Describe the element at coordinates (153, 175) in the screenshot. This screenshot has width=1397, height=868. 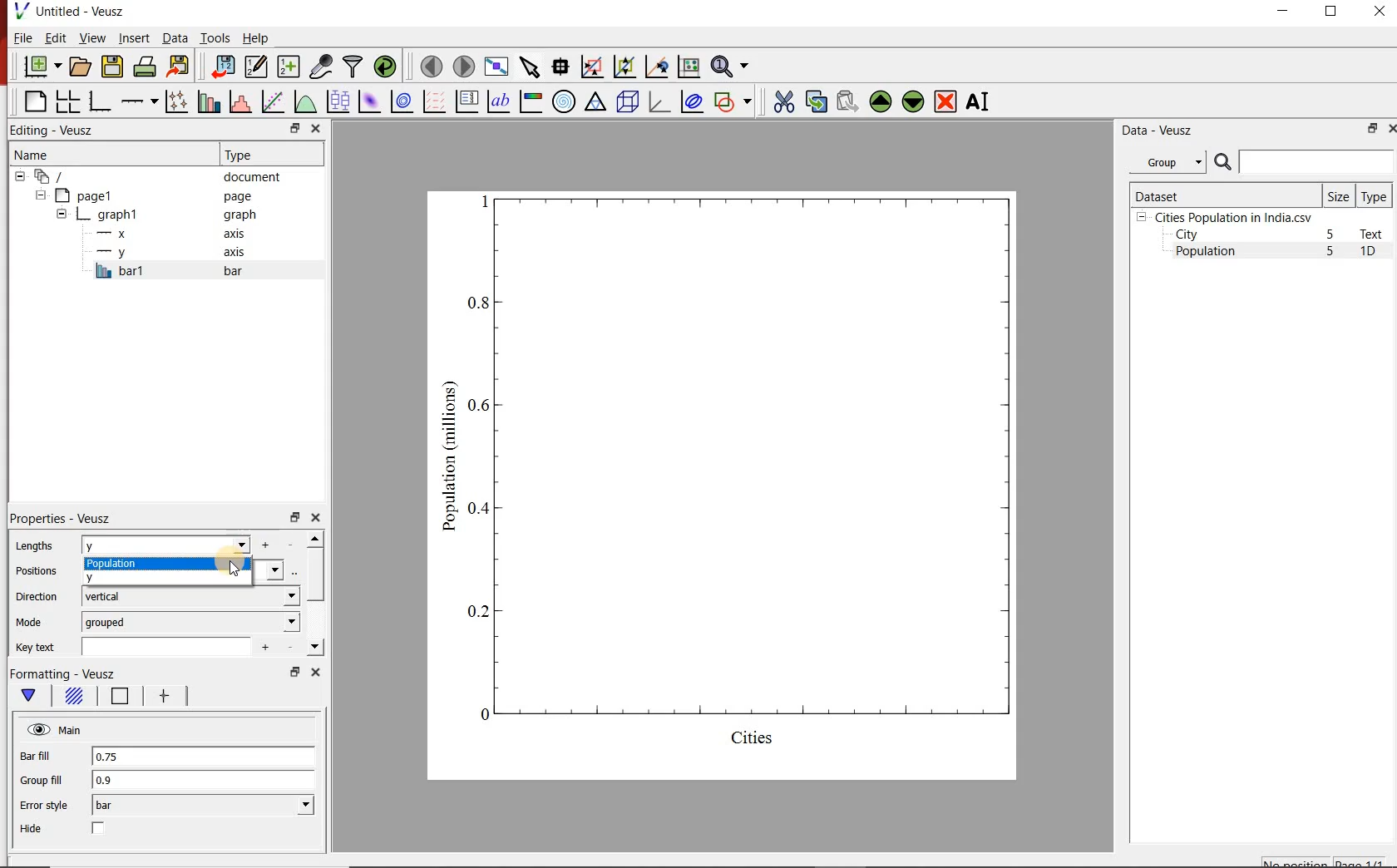
I see `document` at that location.